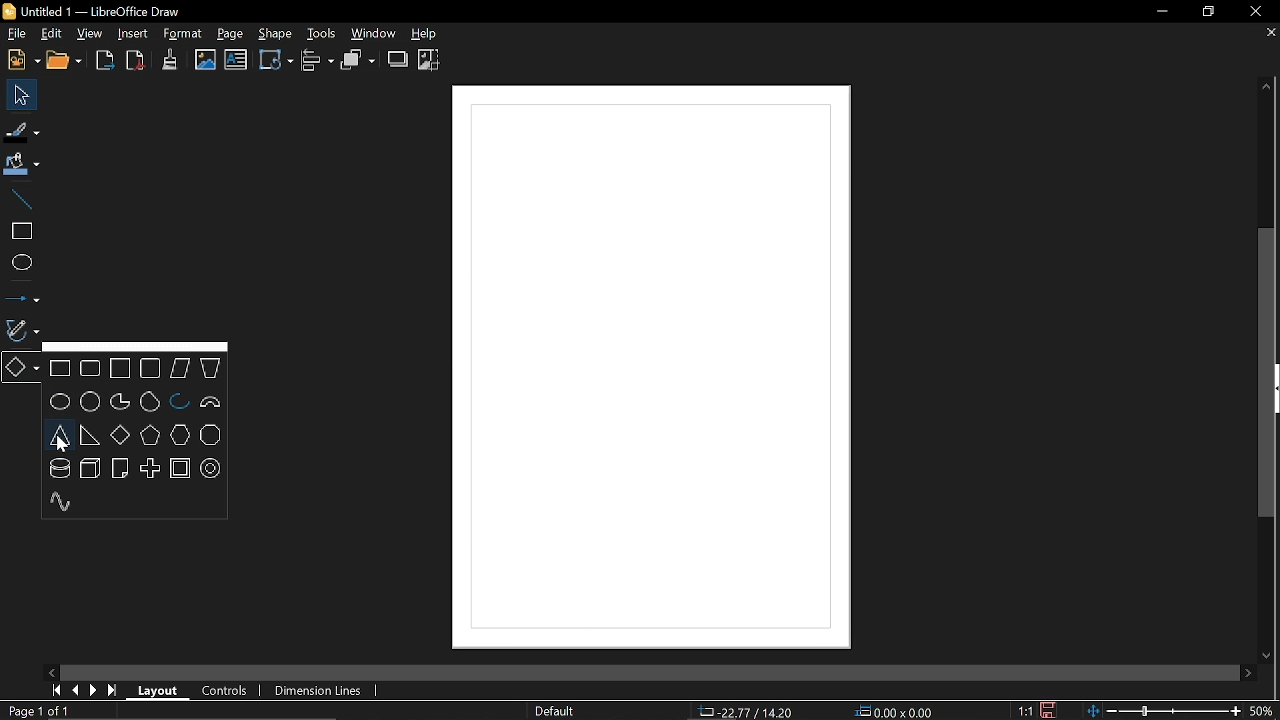 This screenshot has width=1280, height=720. What do you see at coordinates (1024, 711) in the screenshot?
I see `Scaling factor` at bounding box center [1024, 711].